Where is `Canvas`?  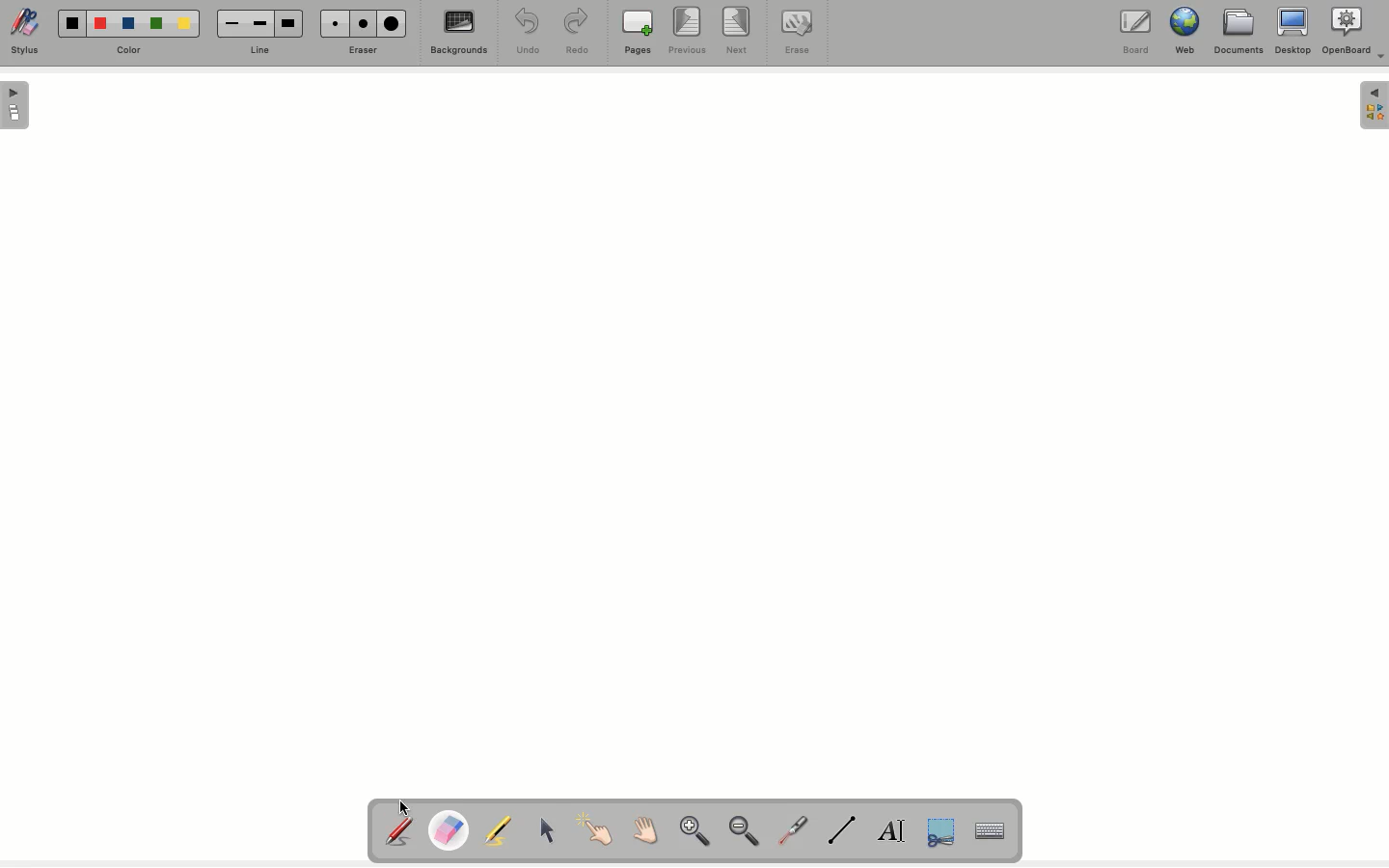
Canvas is located at coordinates (586, 432).